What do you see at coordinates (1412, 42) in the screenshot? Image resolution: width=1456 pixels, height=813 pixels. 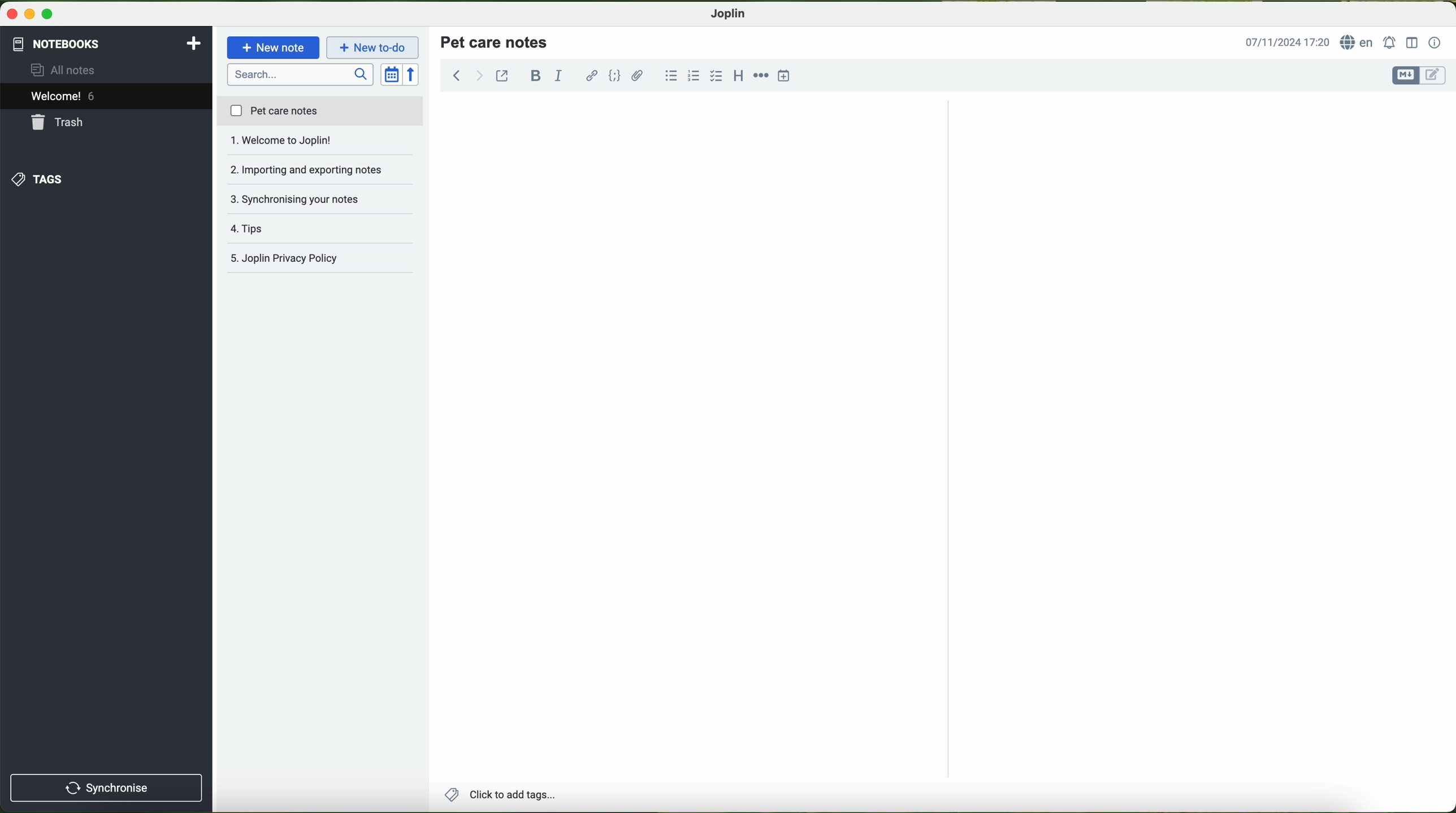 I see `toggle editor layout` at bounding box center [1412, 42].